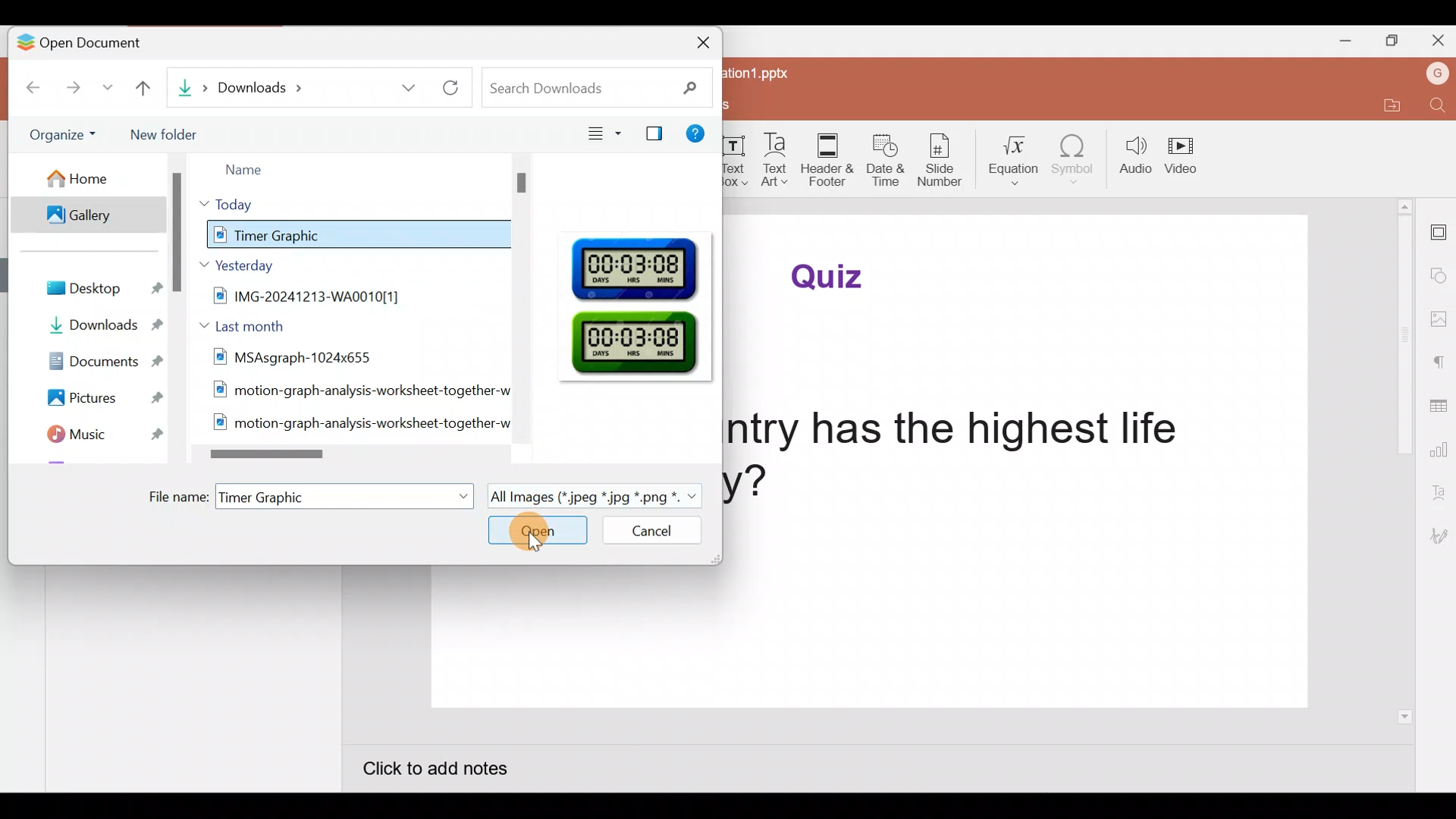 The height and width of the screenshot is (819, 1456). What do you see at coordinates (1342, 39) in the screenshot?
I see `Minimize` at bounding box center [1342, 39].